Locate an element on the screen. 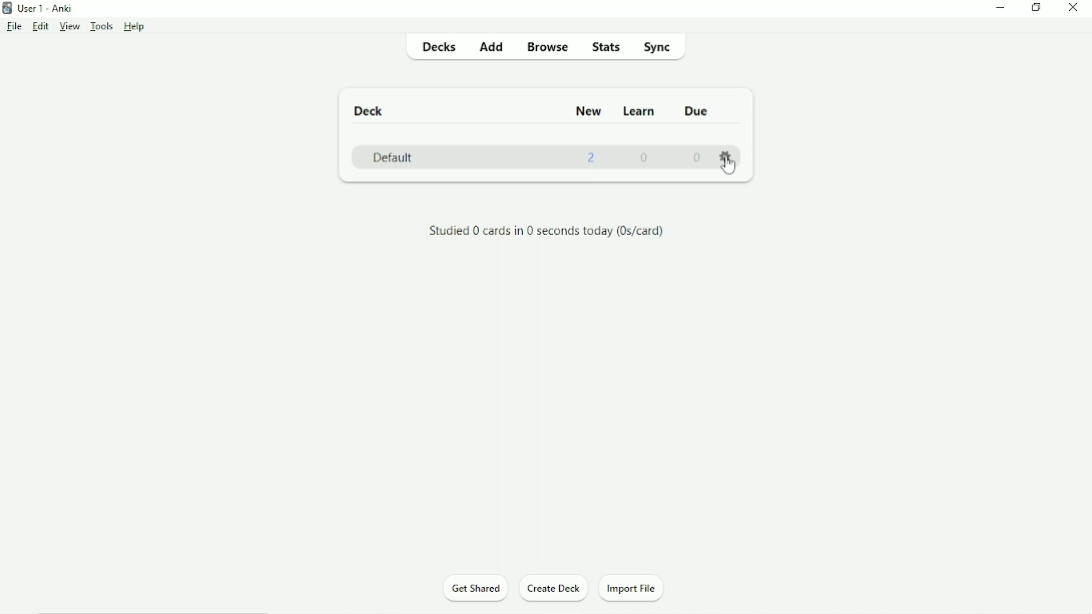 The width and height of the screenshot is (1092, 614). Create Deck is located at coordinates (554, 588).